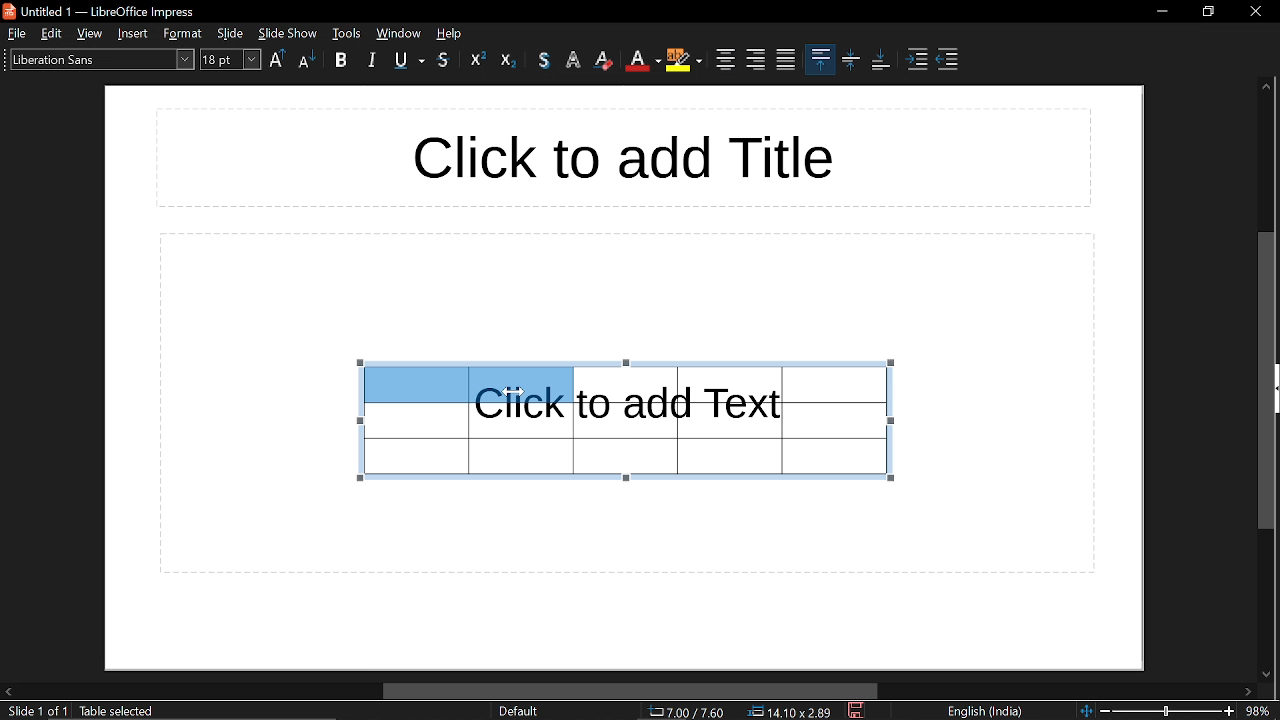 The height and width of the screenshot is (720, 1280). Describe the element at coordinates (1266, 89) in the screenshot. I see `move up` at that location.